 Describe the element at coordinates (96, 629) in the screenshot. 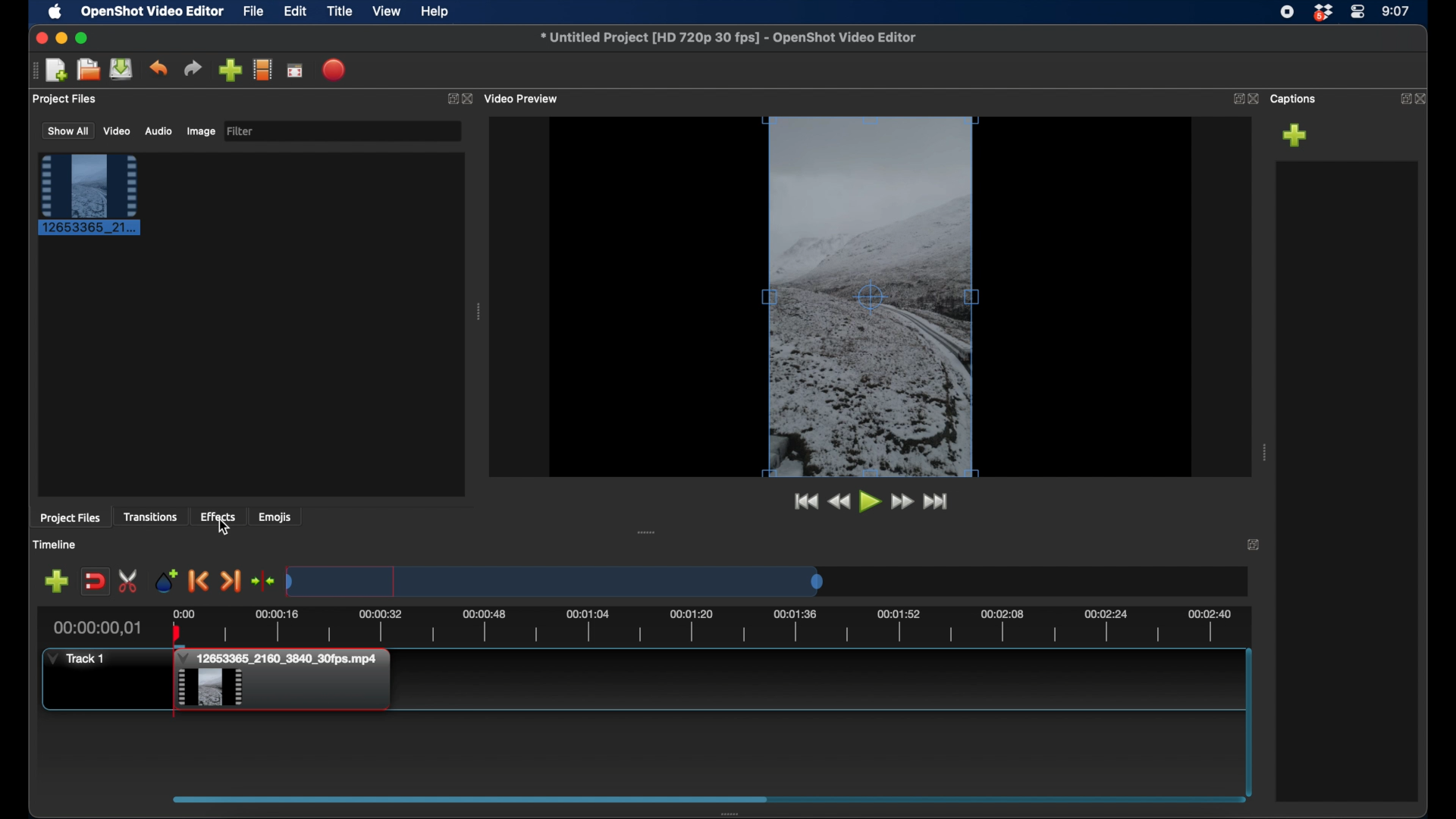

I see `current time indicator` at that location.